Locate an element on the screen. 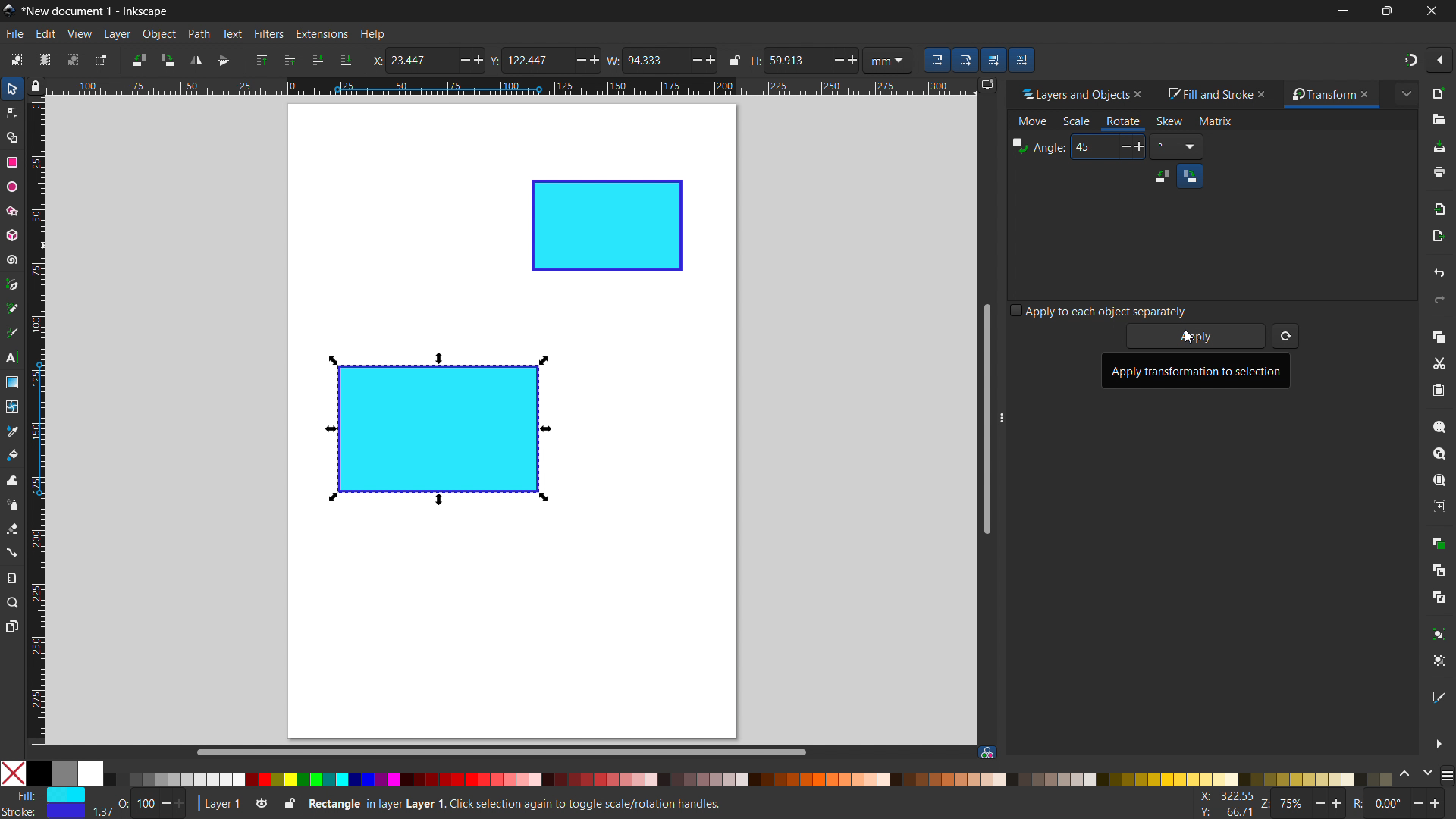  Solid Black is located at coordinates (39, 774).